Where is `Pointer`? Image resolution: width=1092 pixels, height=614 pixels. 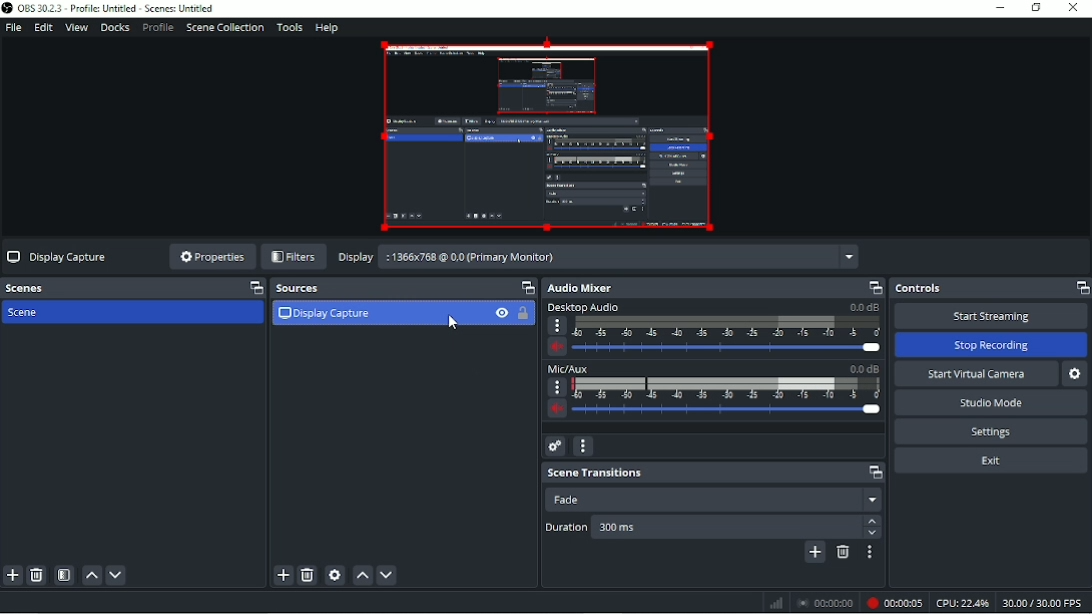
Pointer is located at coordinates (454, 324).